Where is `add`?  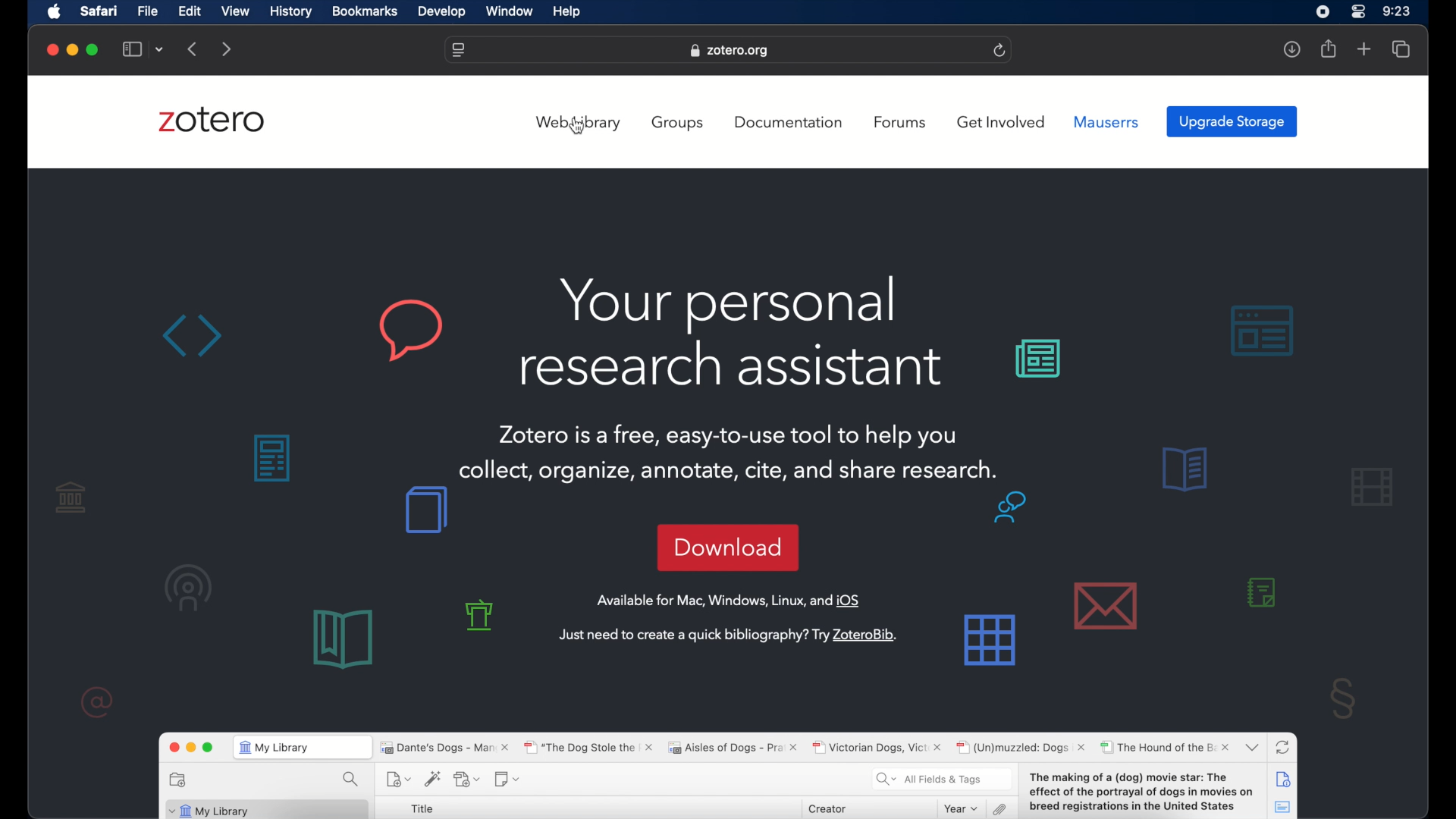 add is located at coordinates (1364, 50).